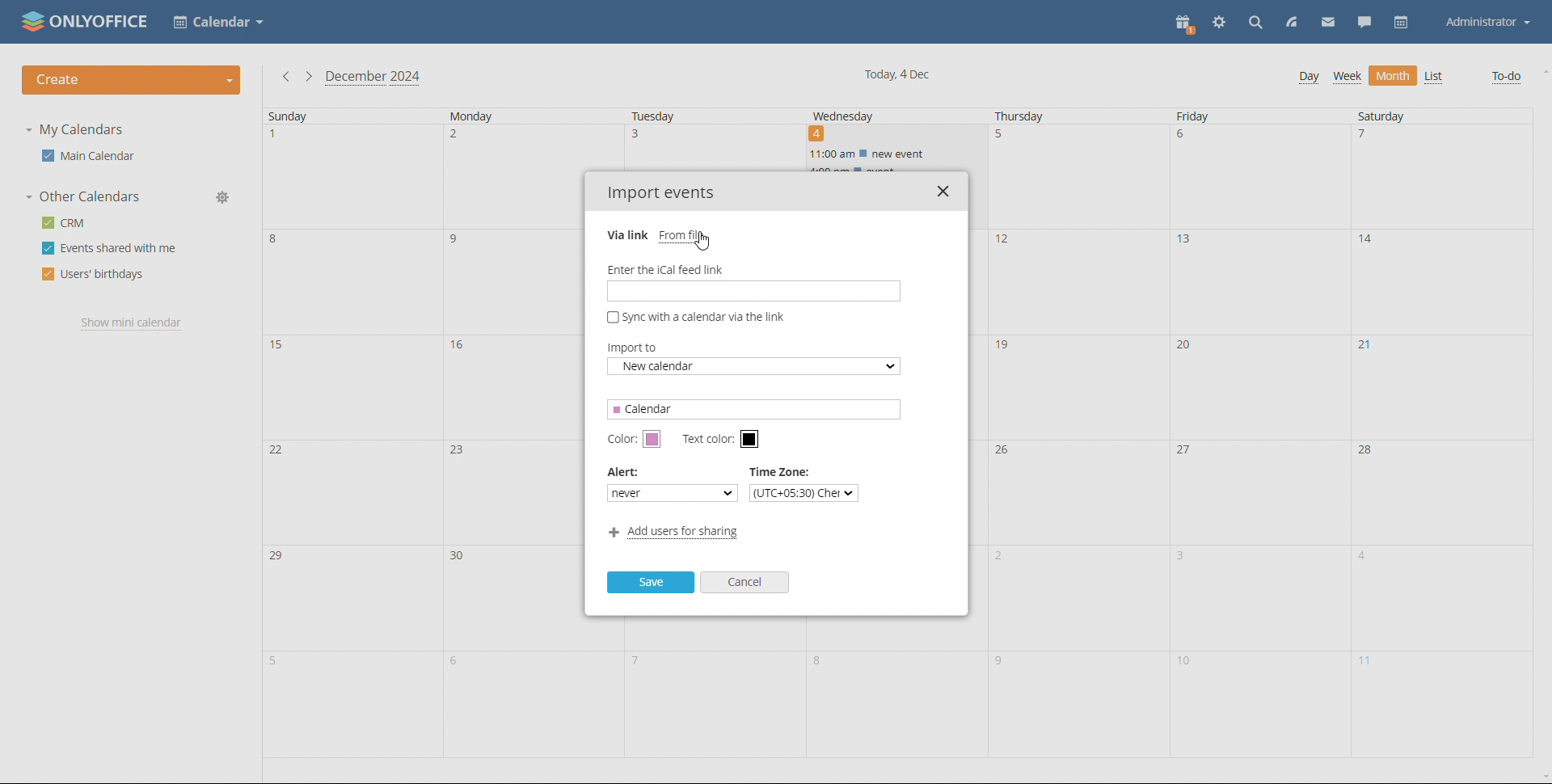  I want to click on color:, so click(621, 439).